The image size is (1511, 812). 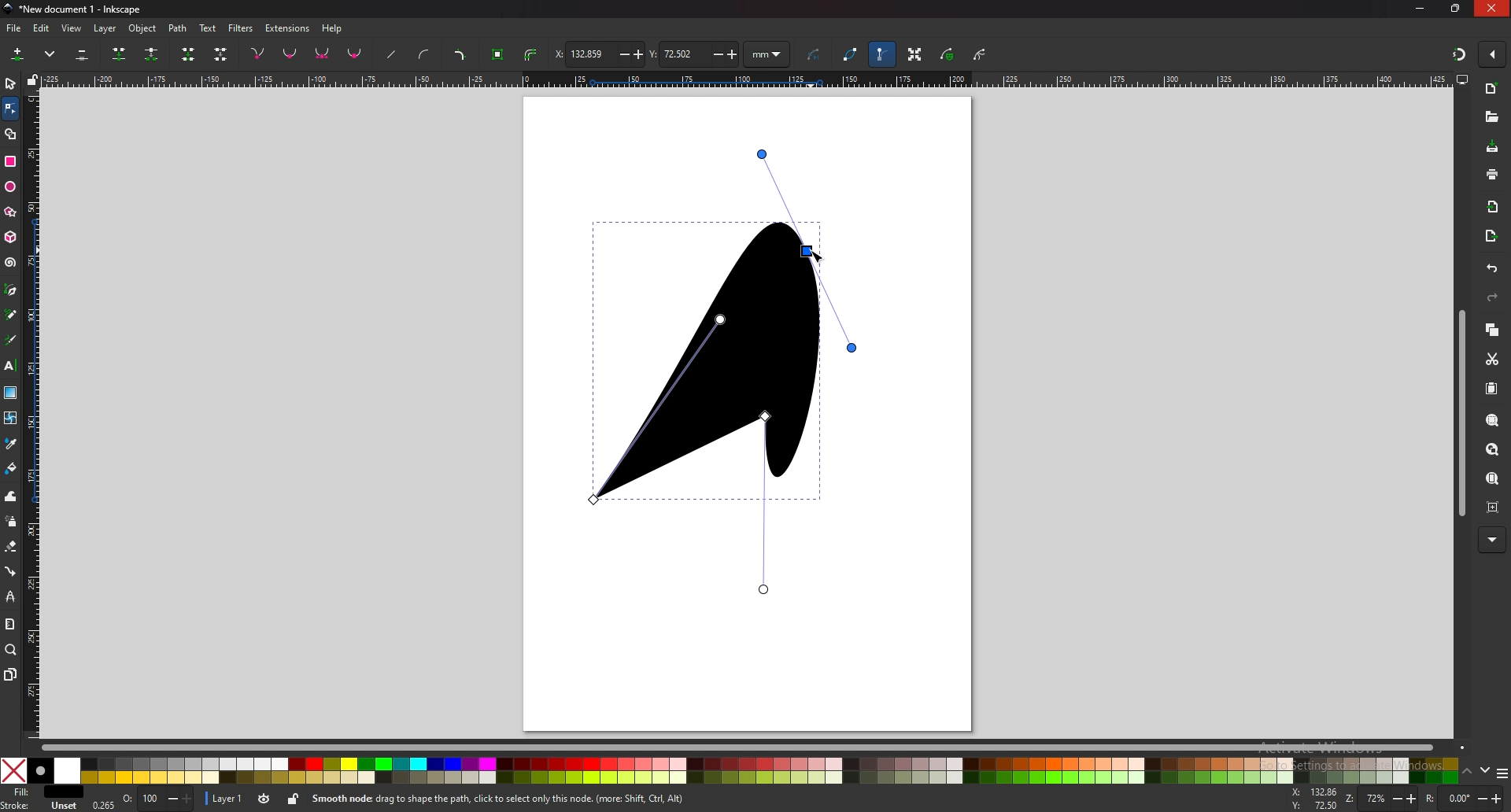 What do you see at coordinates (12, 238) in the screenshot?
I see `3d box` at bounding box center [12, 238].